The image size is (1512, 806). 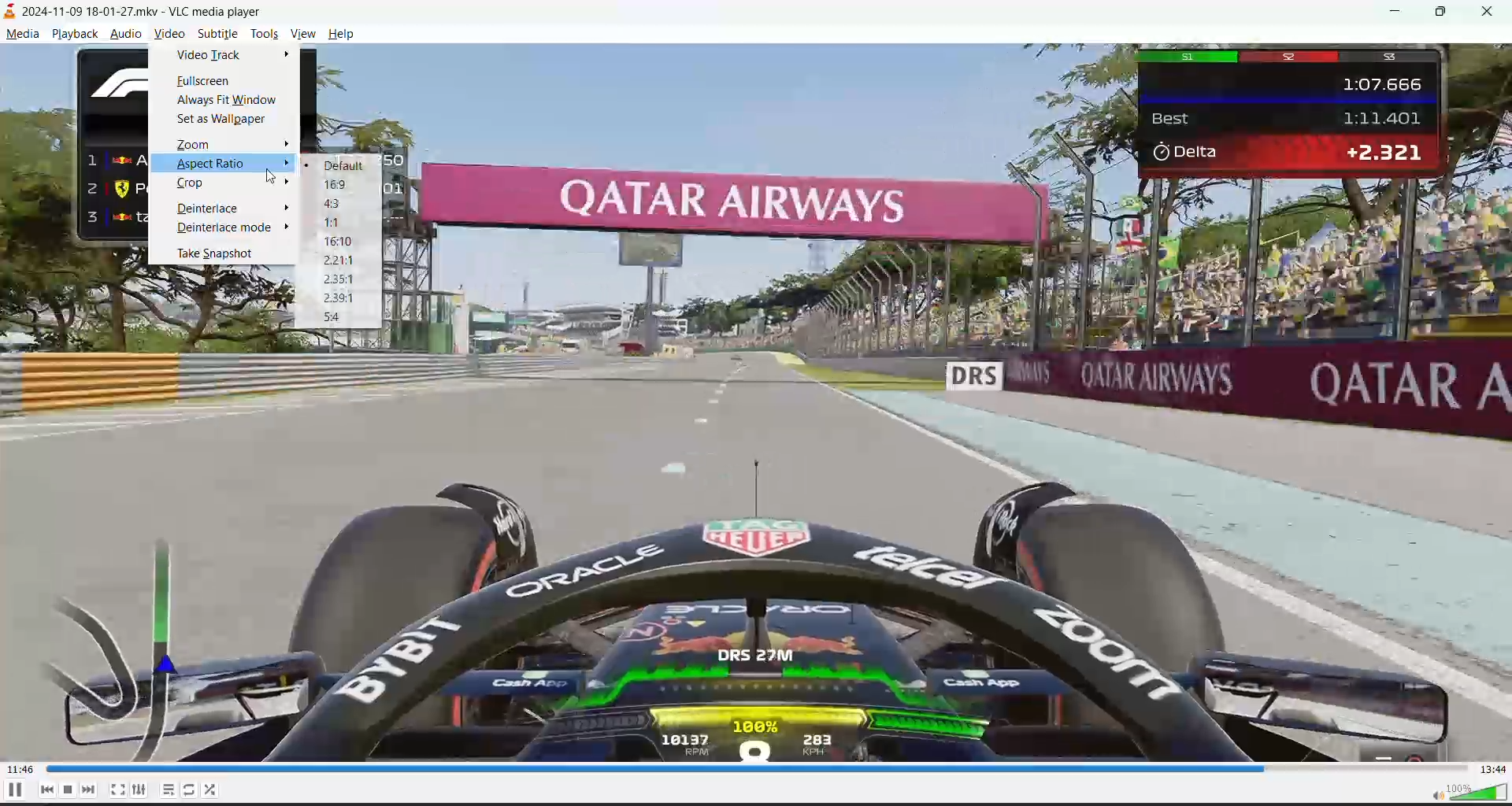 What do you see at coordinates (214, 56) in the screenshot?
I see `video track` at bounding box center [214, 56].